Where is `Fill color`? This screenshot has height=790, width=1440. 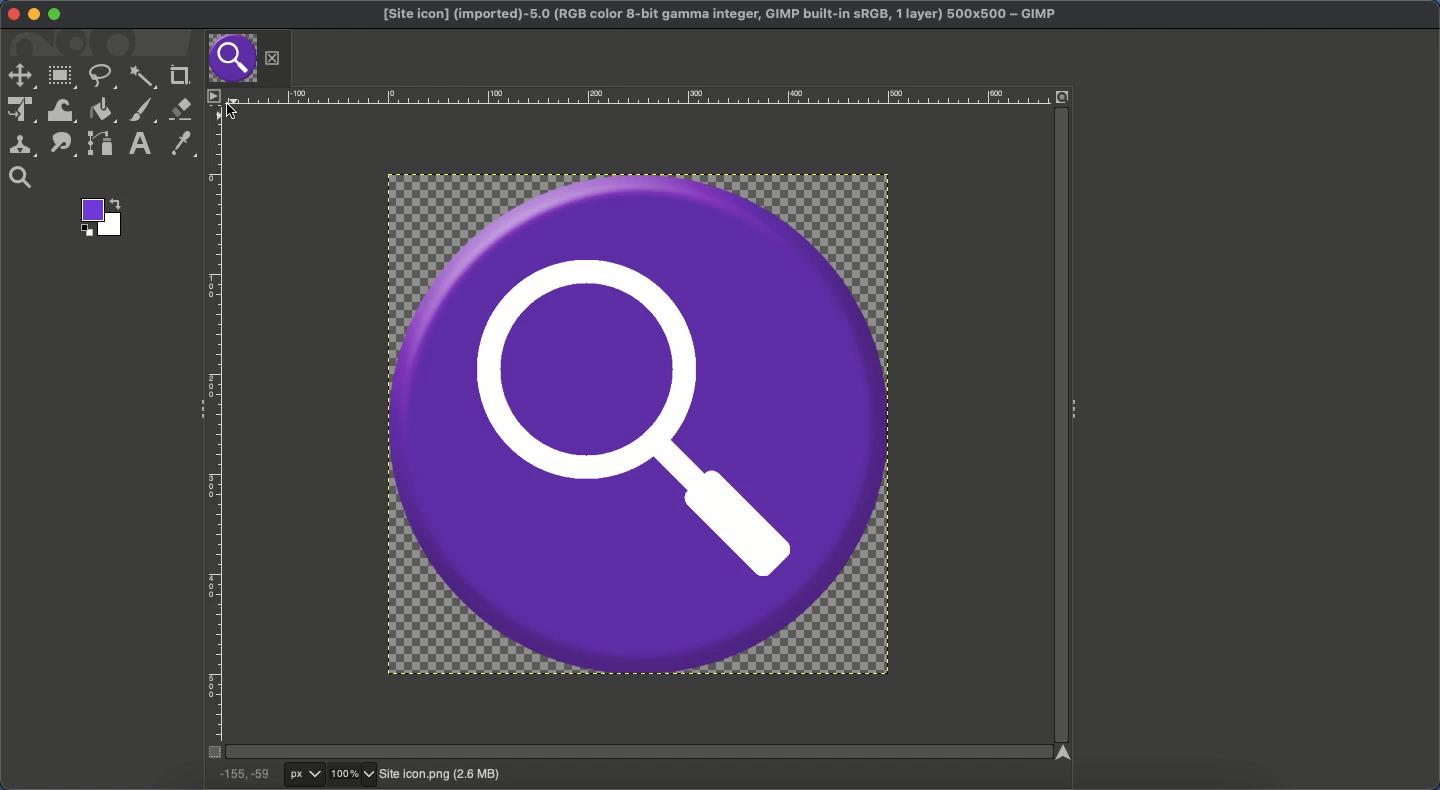 Fill color is located at coordinates (102, 110).